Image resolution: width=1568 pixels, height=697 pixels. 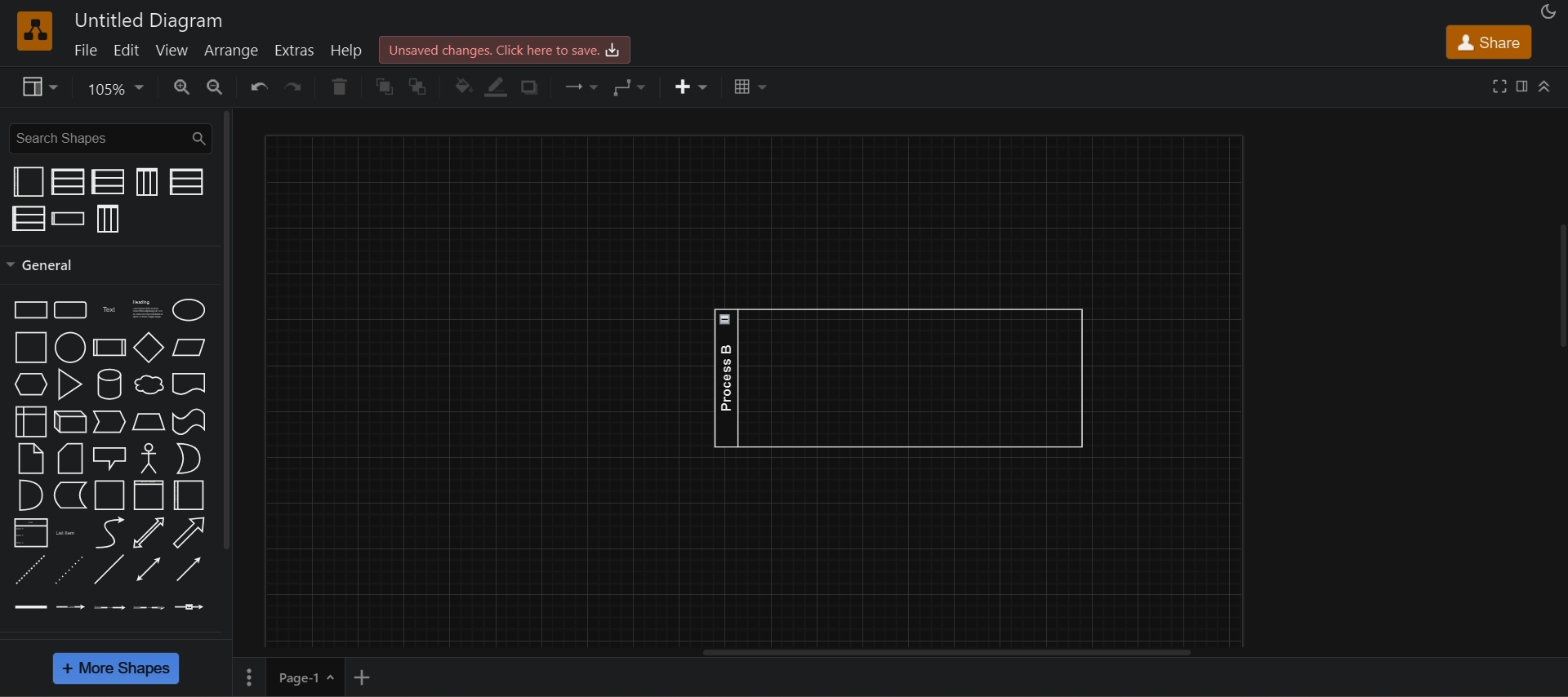 I want to click on horizontal pool 1, so click(x=185, y=181).